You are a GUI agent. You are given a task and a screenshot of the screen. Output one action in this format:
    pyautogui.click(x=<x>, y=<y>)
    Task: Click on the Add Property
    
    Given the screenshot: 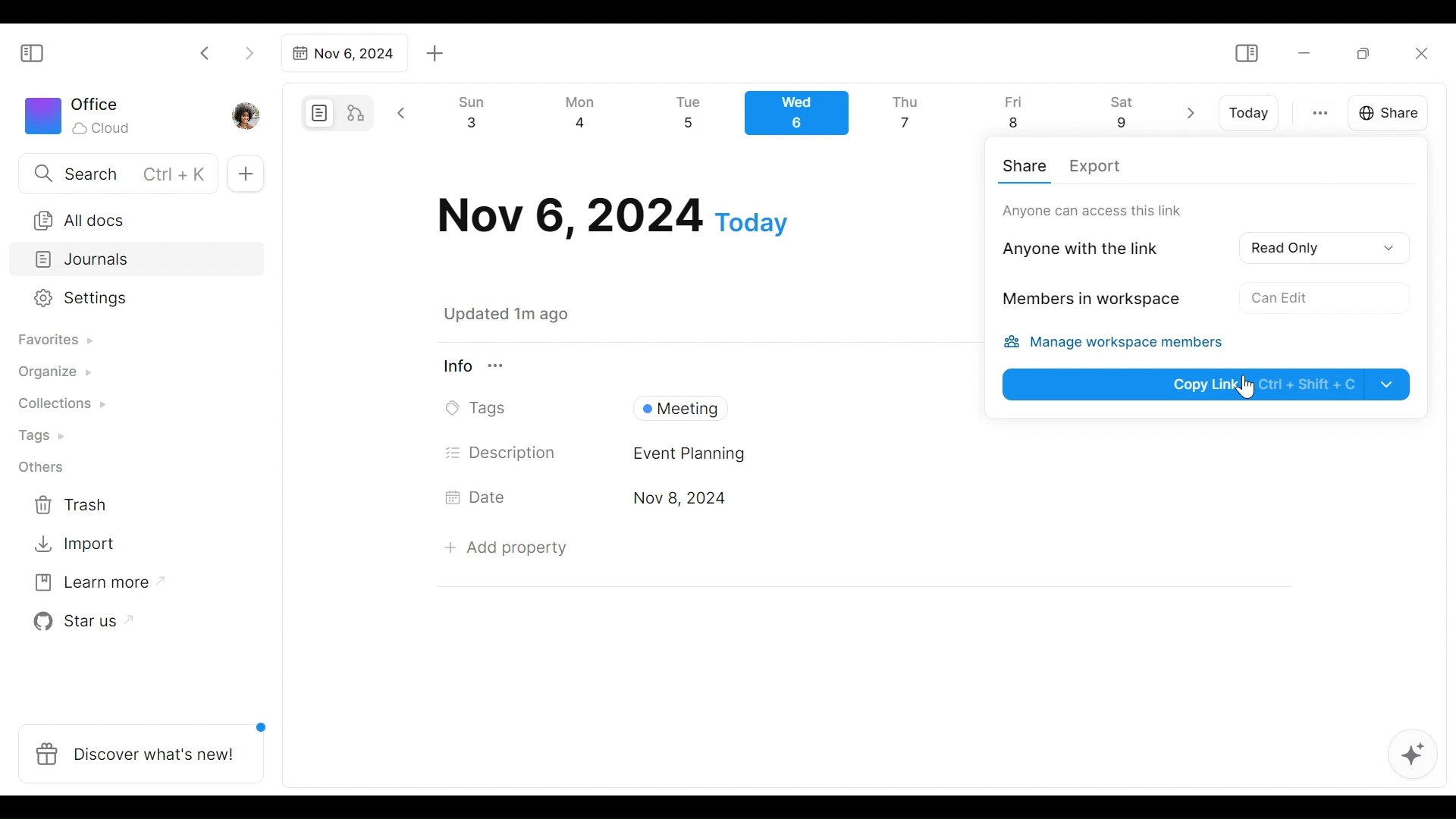 What is the action you would take?
    pyautogui.click(x=506, y=548)
    